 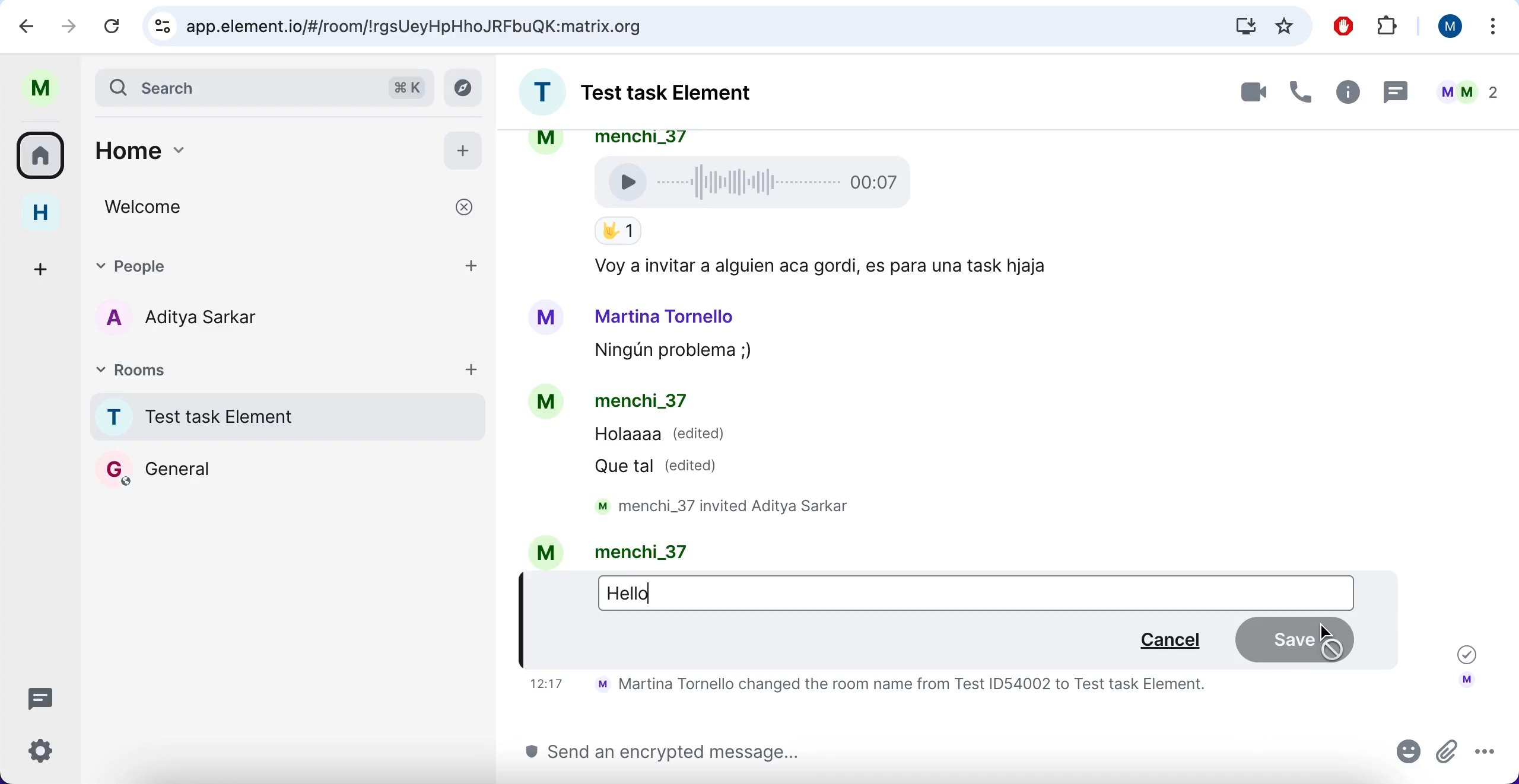 What do you see at coordinates (271, 374) in the screenshot?
I see `rooms` at bounding box center [271, 374].